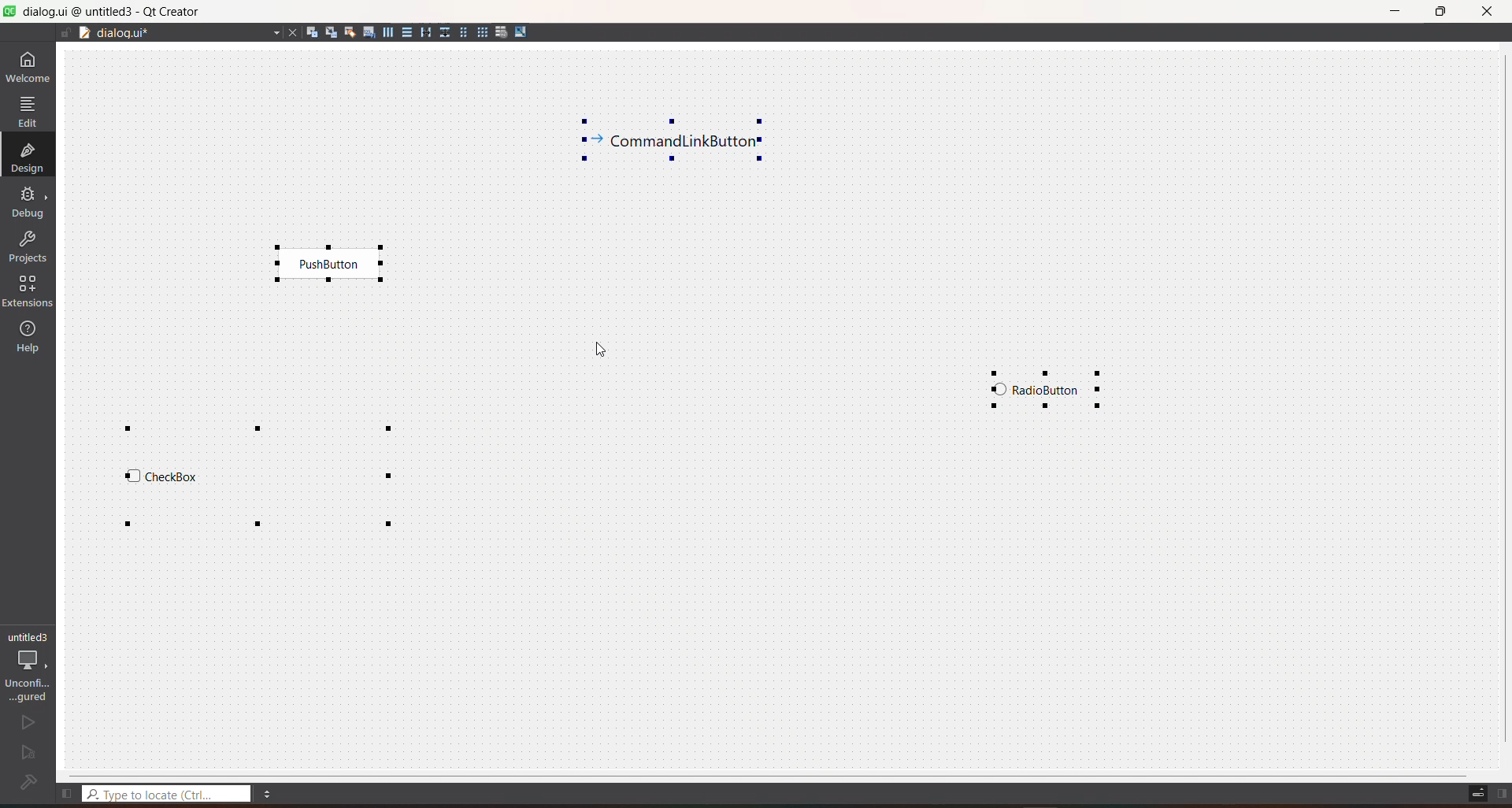 Image resolution: width=1512 pixels, height=808 pixels. Describe the element at coordinates (27, 723) in the screenshot. I see `run` at that location.